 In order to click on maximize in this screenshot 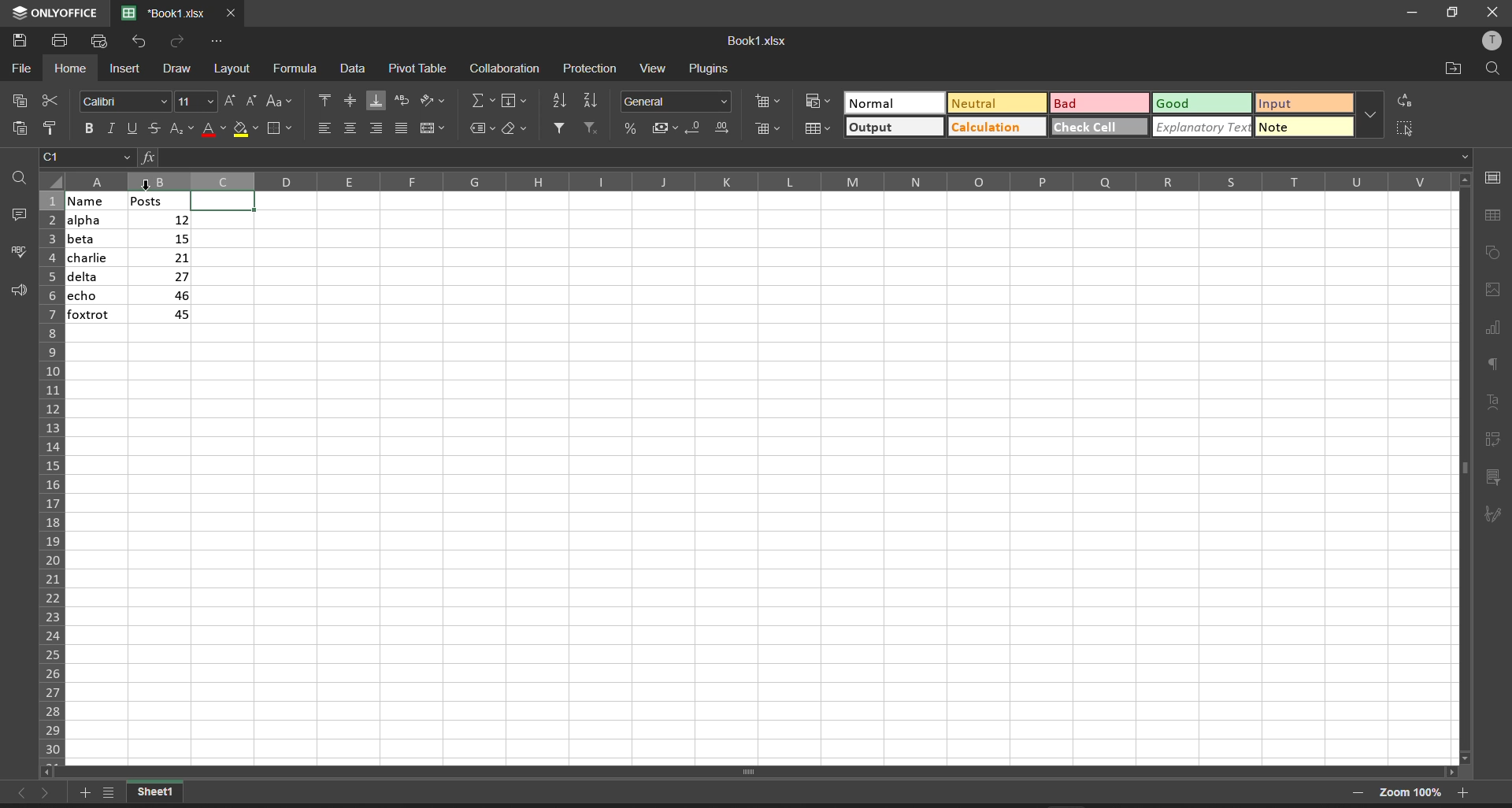, I will do `click(1454, 13)`.